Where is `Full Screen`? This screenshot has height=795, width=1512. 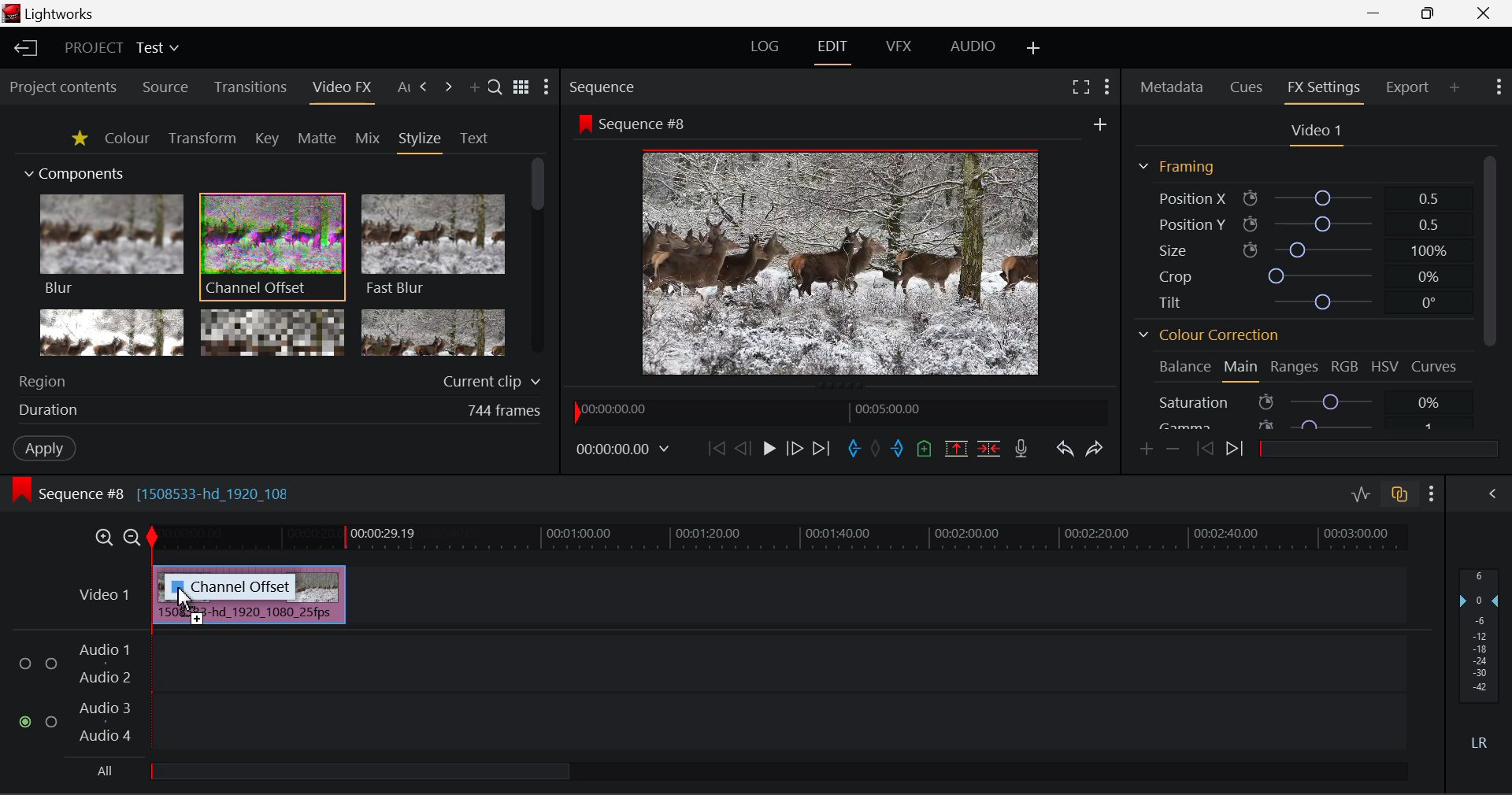
Full Screen is located at coordinates (1082, 89).